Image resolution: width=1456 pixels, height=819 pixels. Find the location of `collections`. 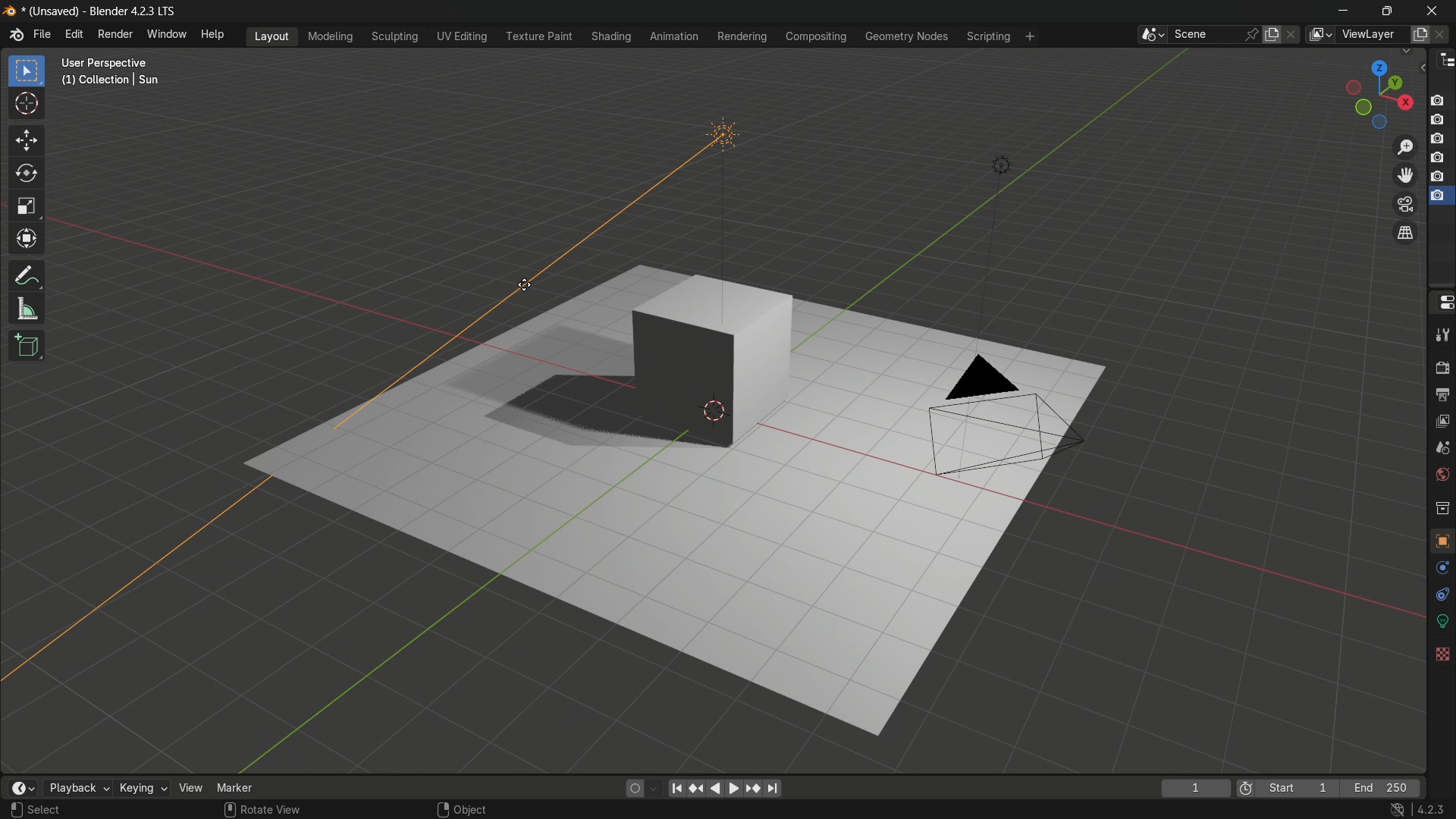

collections is located at coordinates (1442, 507).